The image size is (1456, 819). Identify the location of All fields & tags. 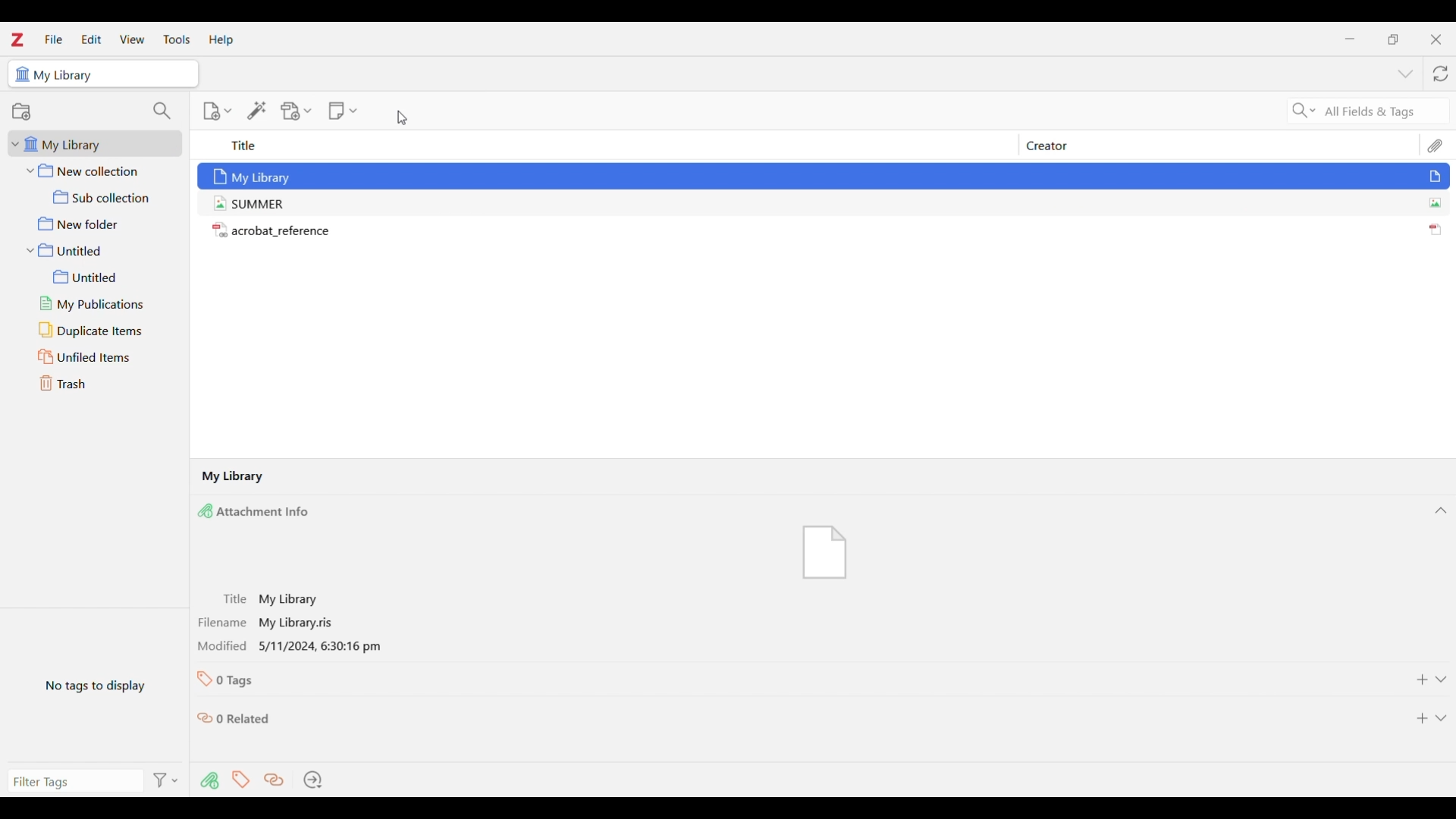
(1356, 110).